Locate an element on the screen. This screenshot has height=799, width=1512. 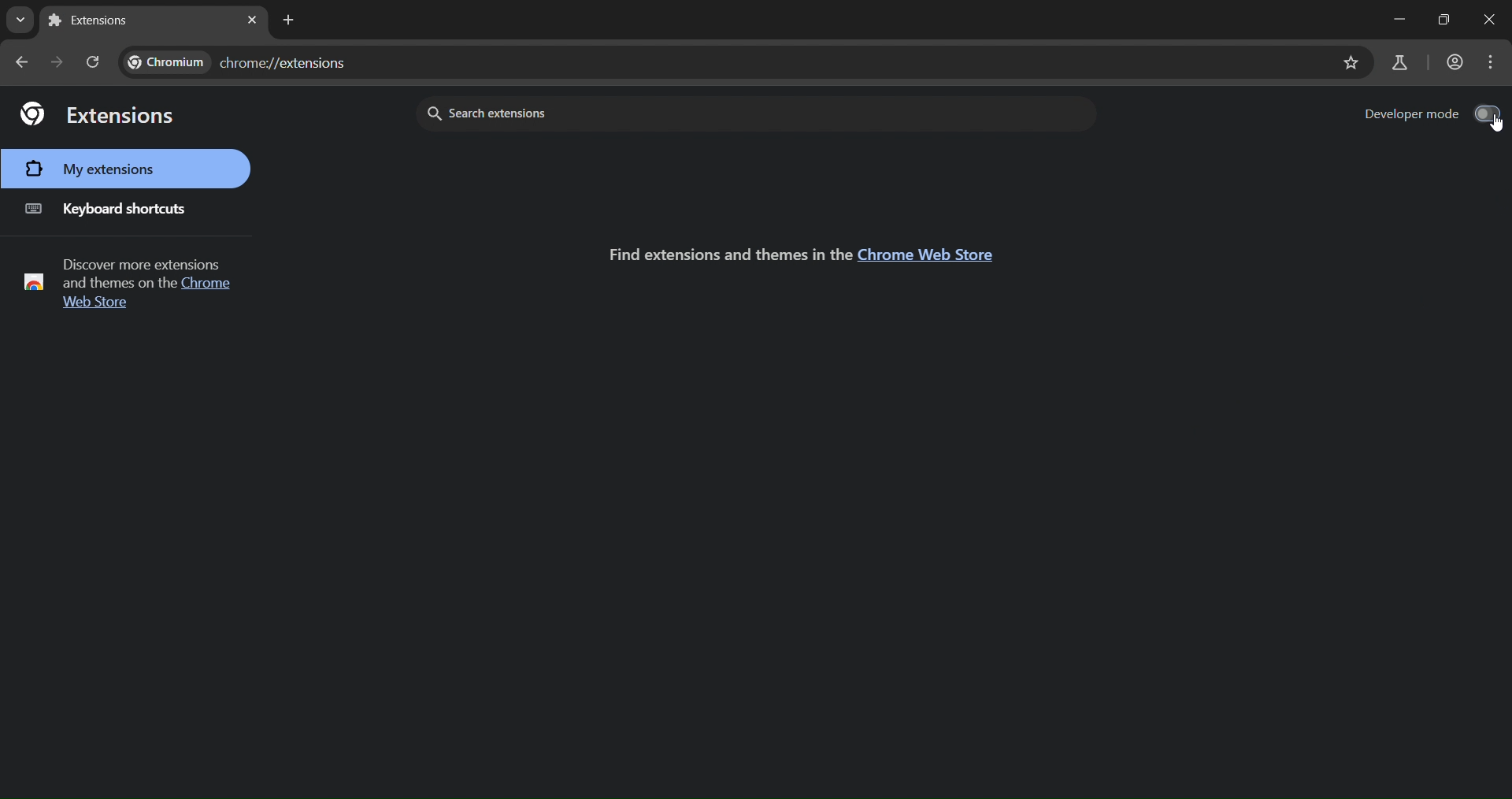
developer mode is located at coordinates (1432, 113).